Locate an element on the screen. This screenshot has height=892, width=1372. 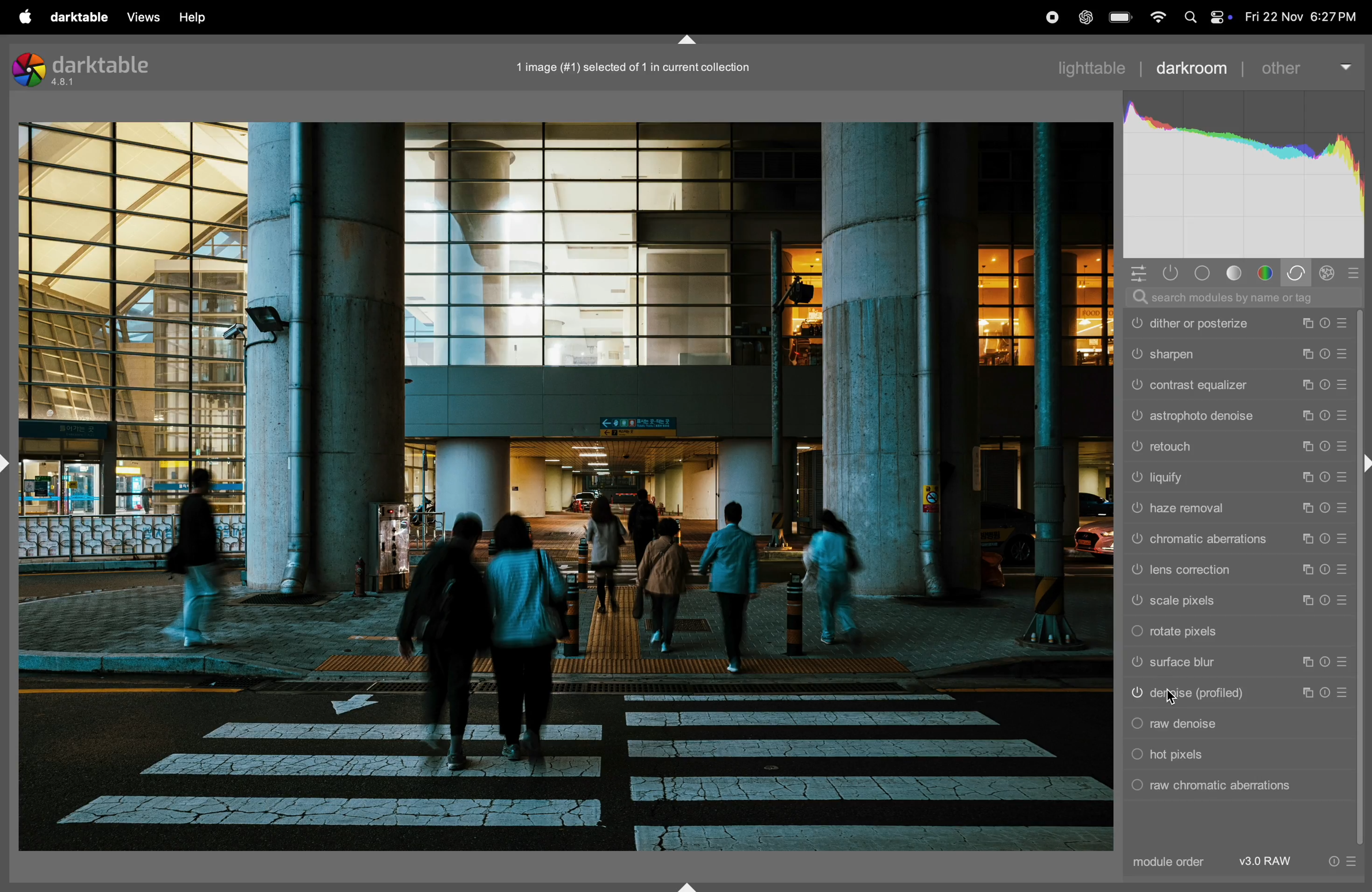
reset is located at coordinates (1336, 861).